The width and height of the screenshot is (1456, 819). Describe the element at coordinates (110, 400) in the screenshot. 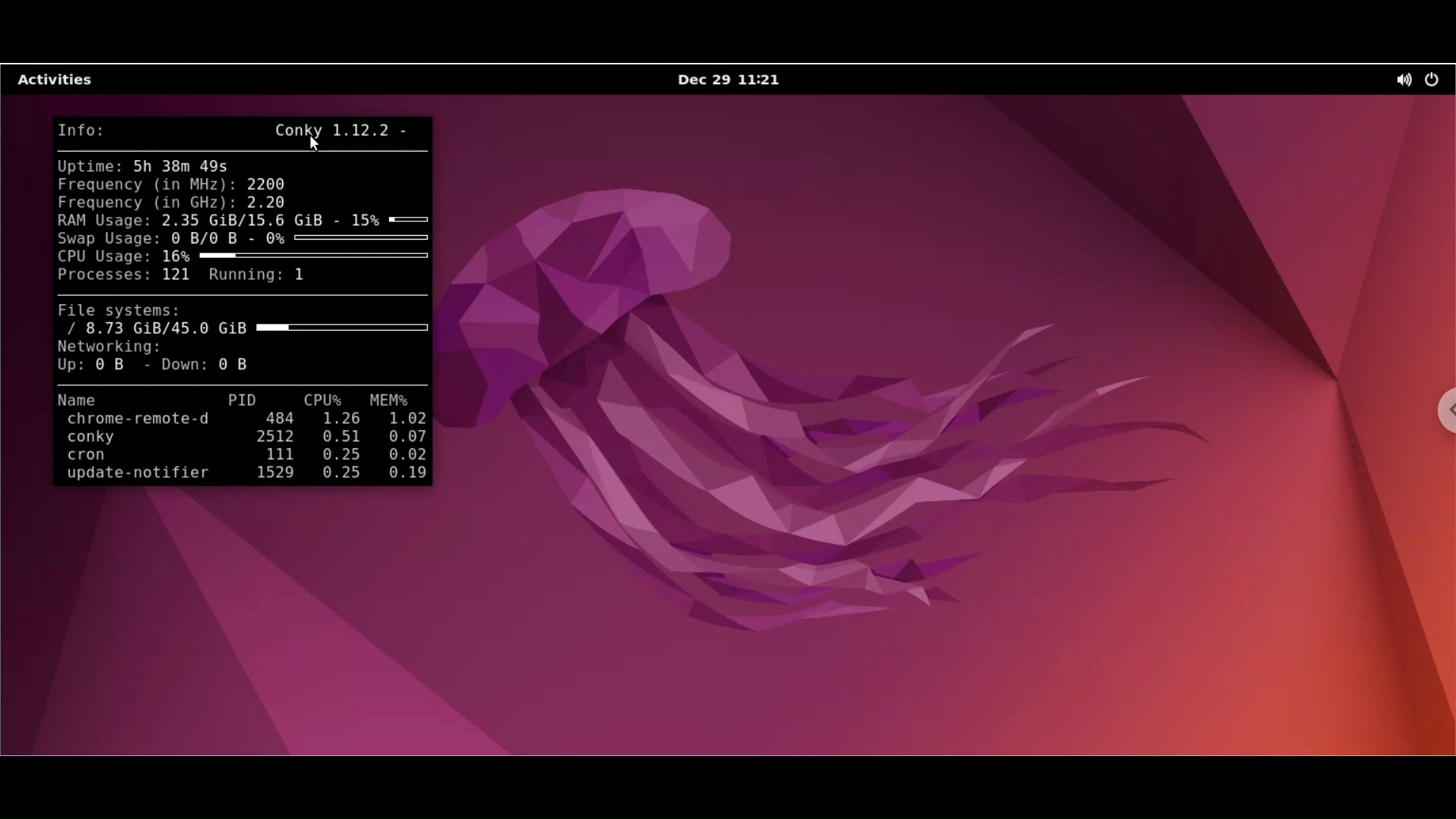

I see `name` at that location.